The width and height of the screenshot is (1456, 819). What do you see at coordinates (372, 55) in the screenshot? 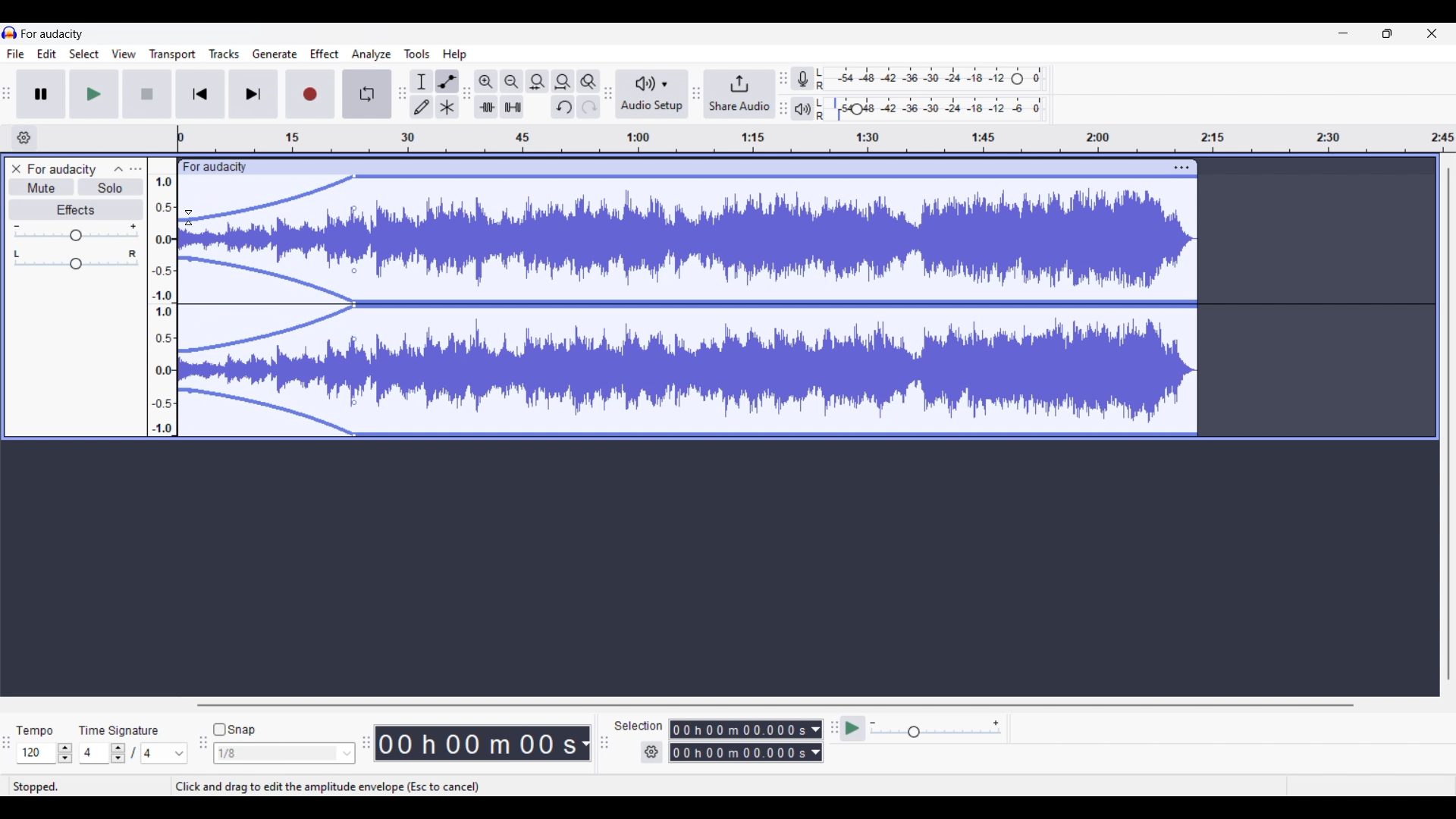
I see `Analyze` at bounding box center [372, 55].